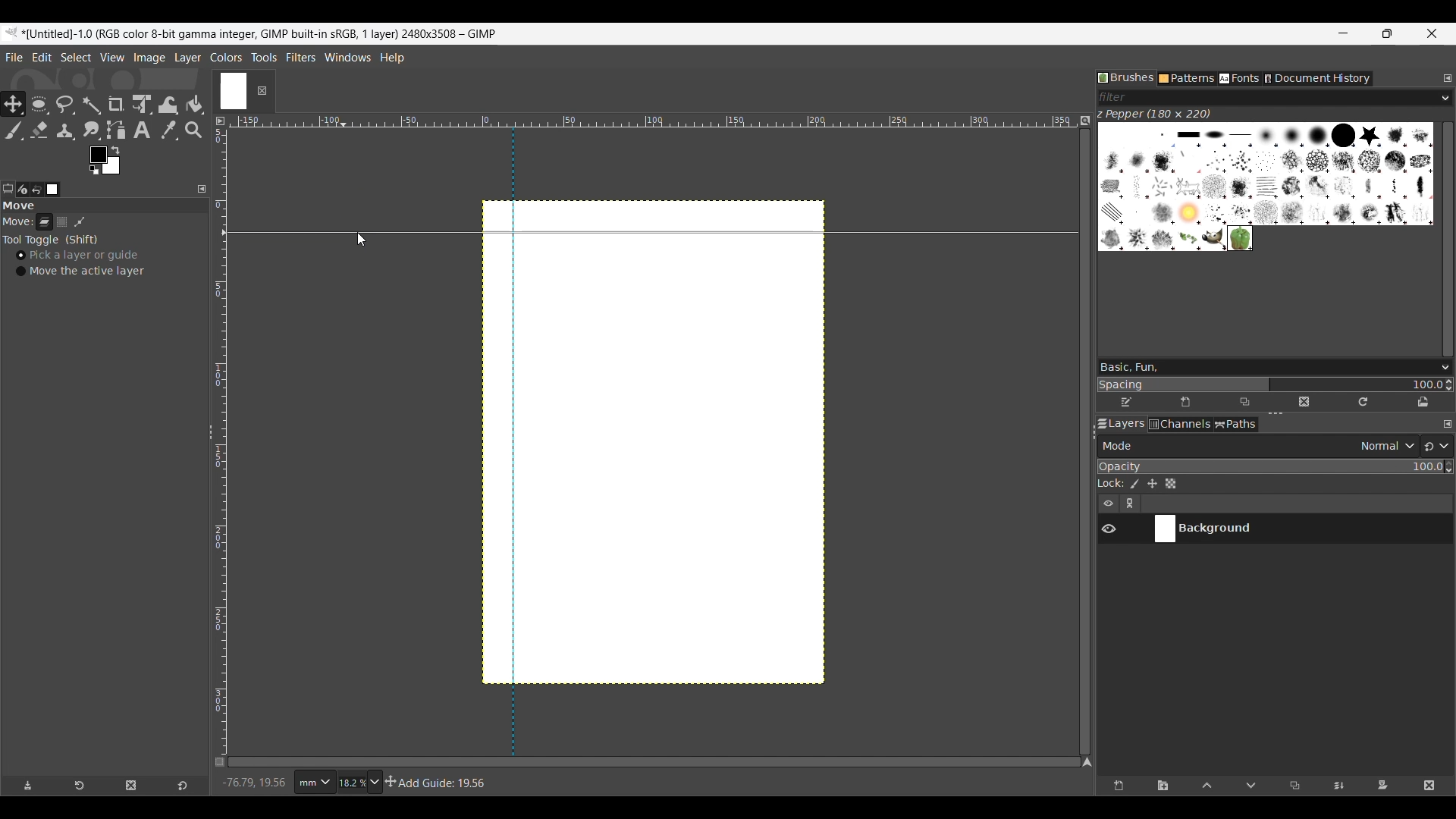  Describe the element at coordinates (1152, 484) in the screenshot. I see `Lock position and size` at that location.